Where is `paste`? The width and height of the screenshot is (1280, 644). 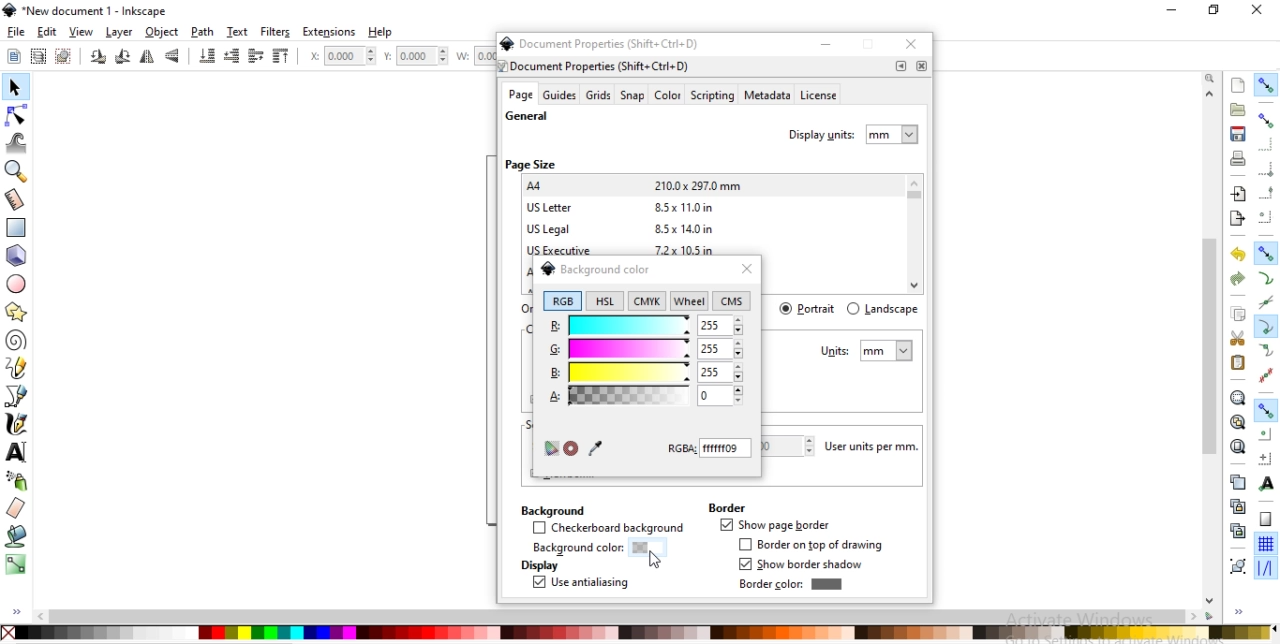
paste is located at coordinates (1238, 363).